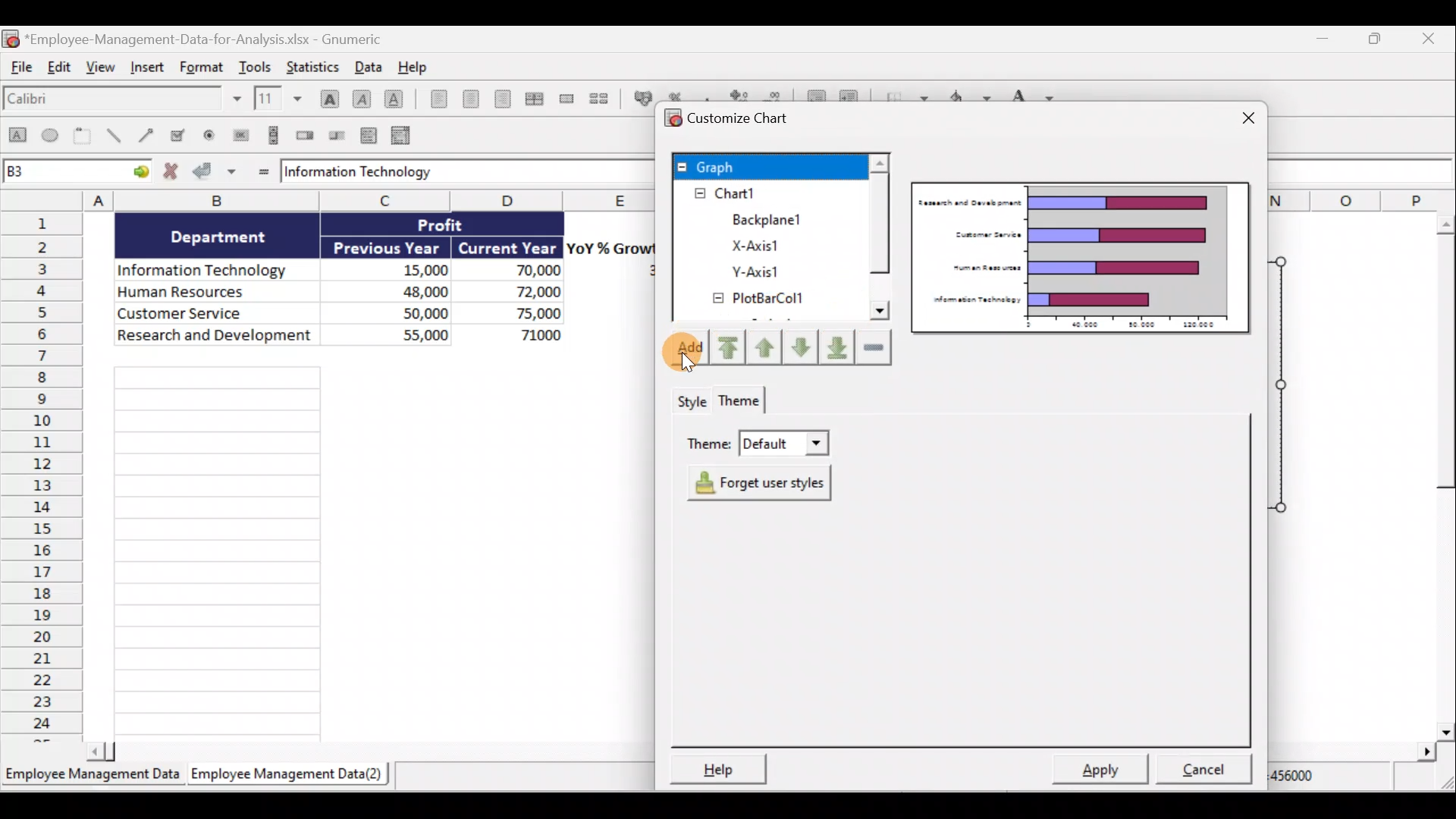 The image size is (1456, 819). Describe the element at coordinates (124, 100) in the screenshot. I see `Font name` at that location.